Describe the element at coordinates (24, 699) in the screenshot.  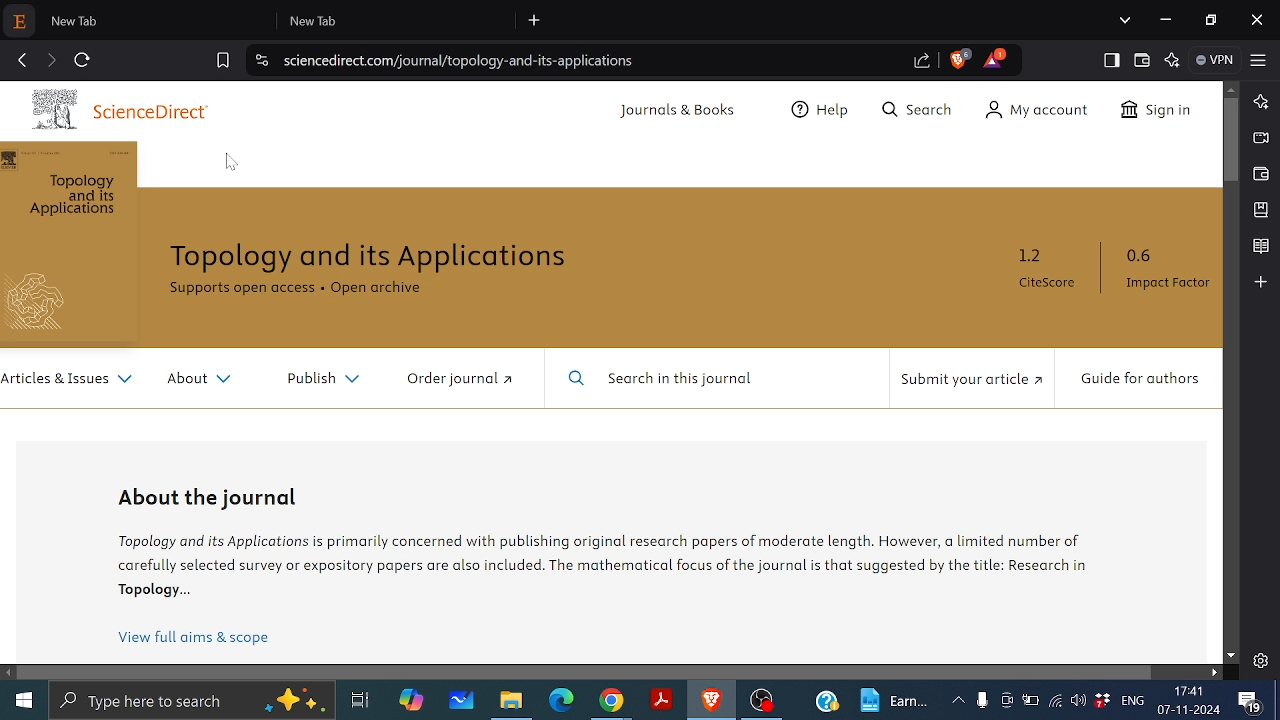
I see `Start` at that location.